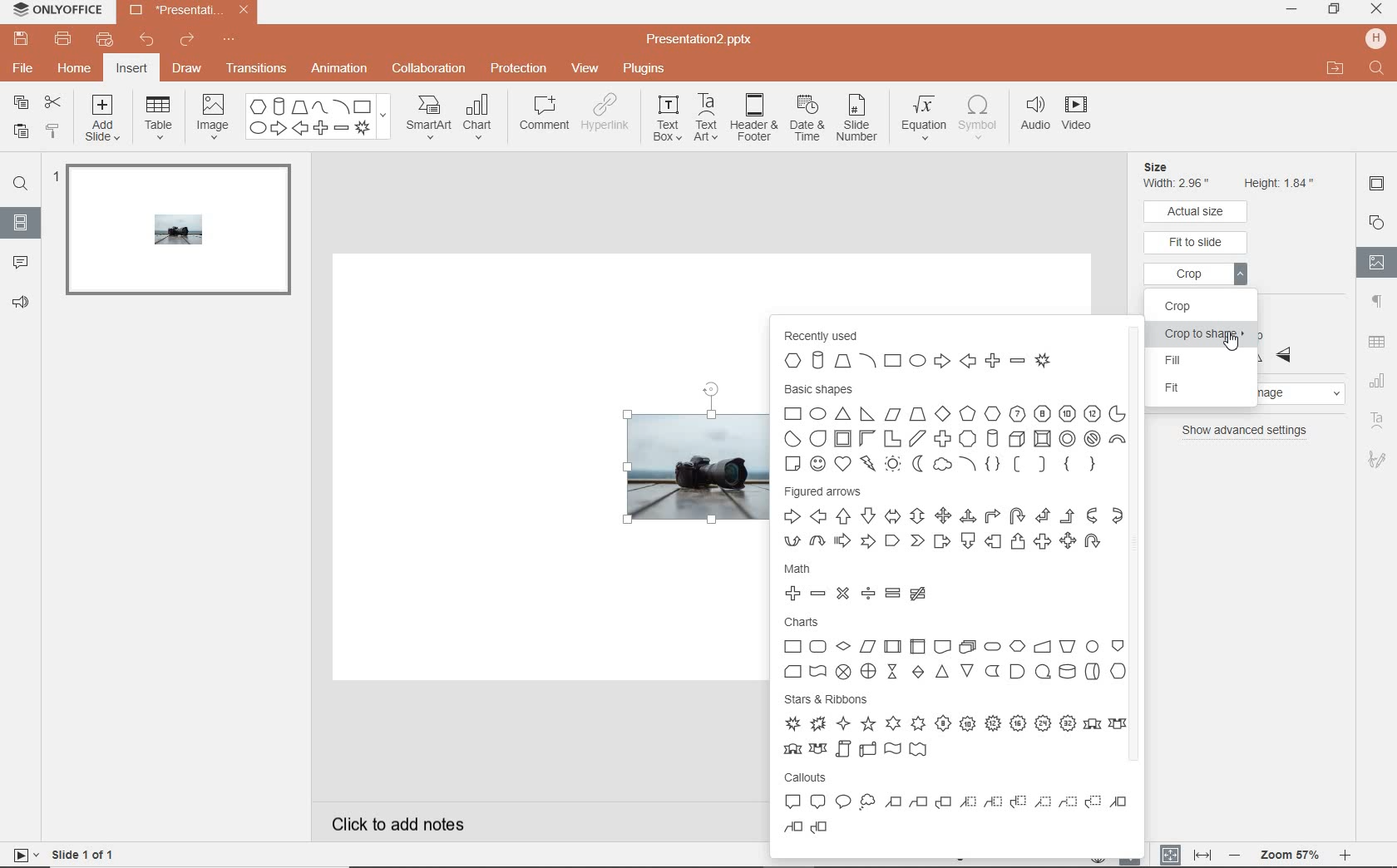  What do you see at coordinates (1197, 211) in the screenshot?
I see `actual size` at bounding box center [1197, 211].